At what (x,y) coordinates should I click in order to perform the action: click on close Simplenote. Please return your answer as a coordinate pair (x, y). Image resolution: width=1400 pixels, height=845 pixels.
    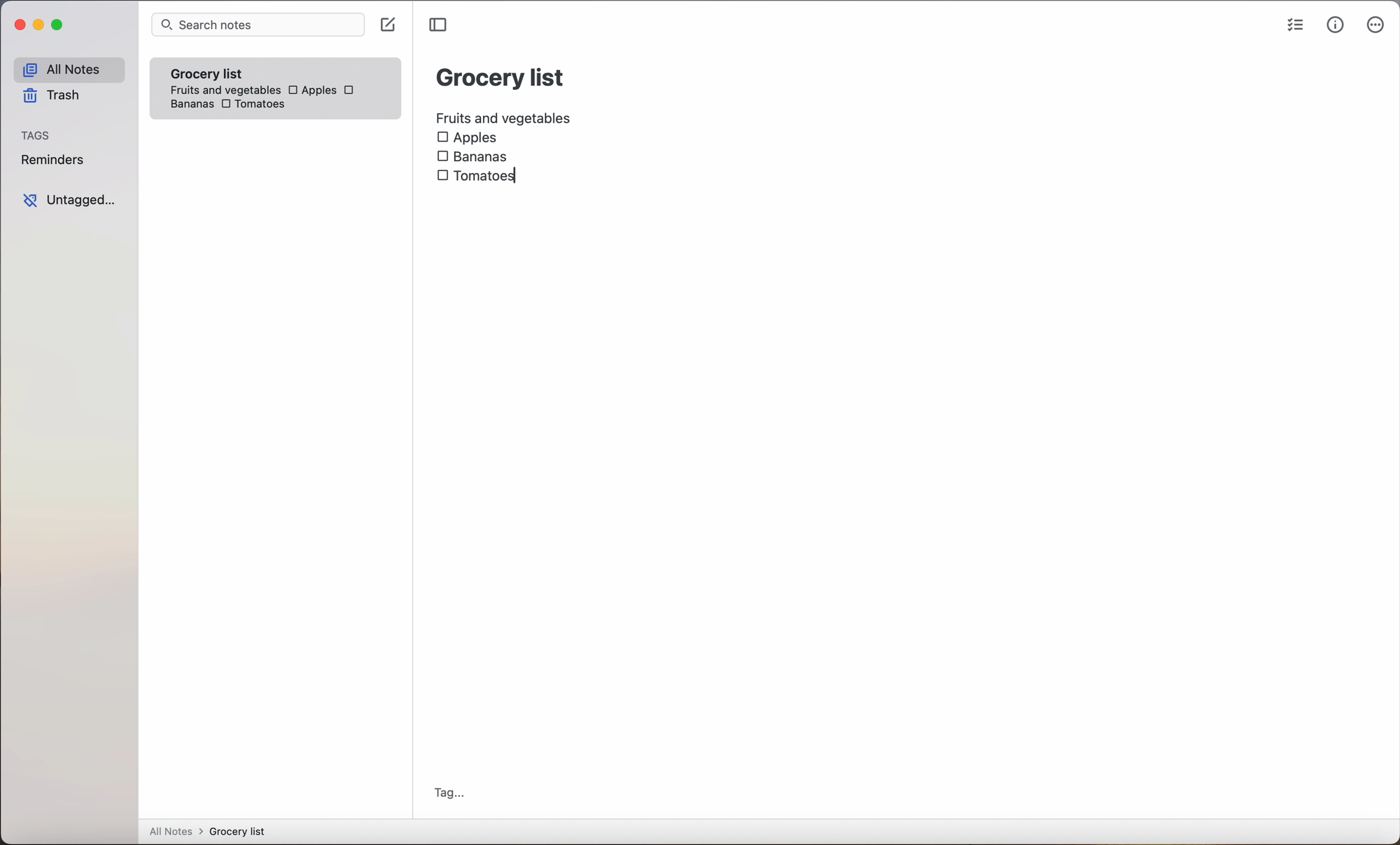
    Looking at the image, I should click on (19, 26).